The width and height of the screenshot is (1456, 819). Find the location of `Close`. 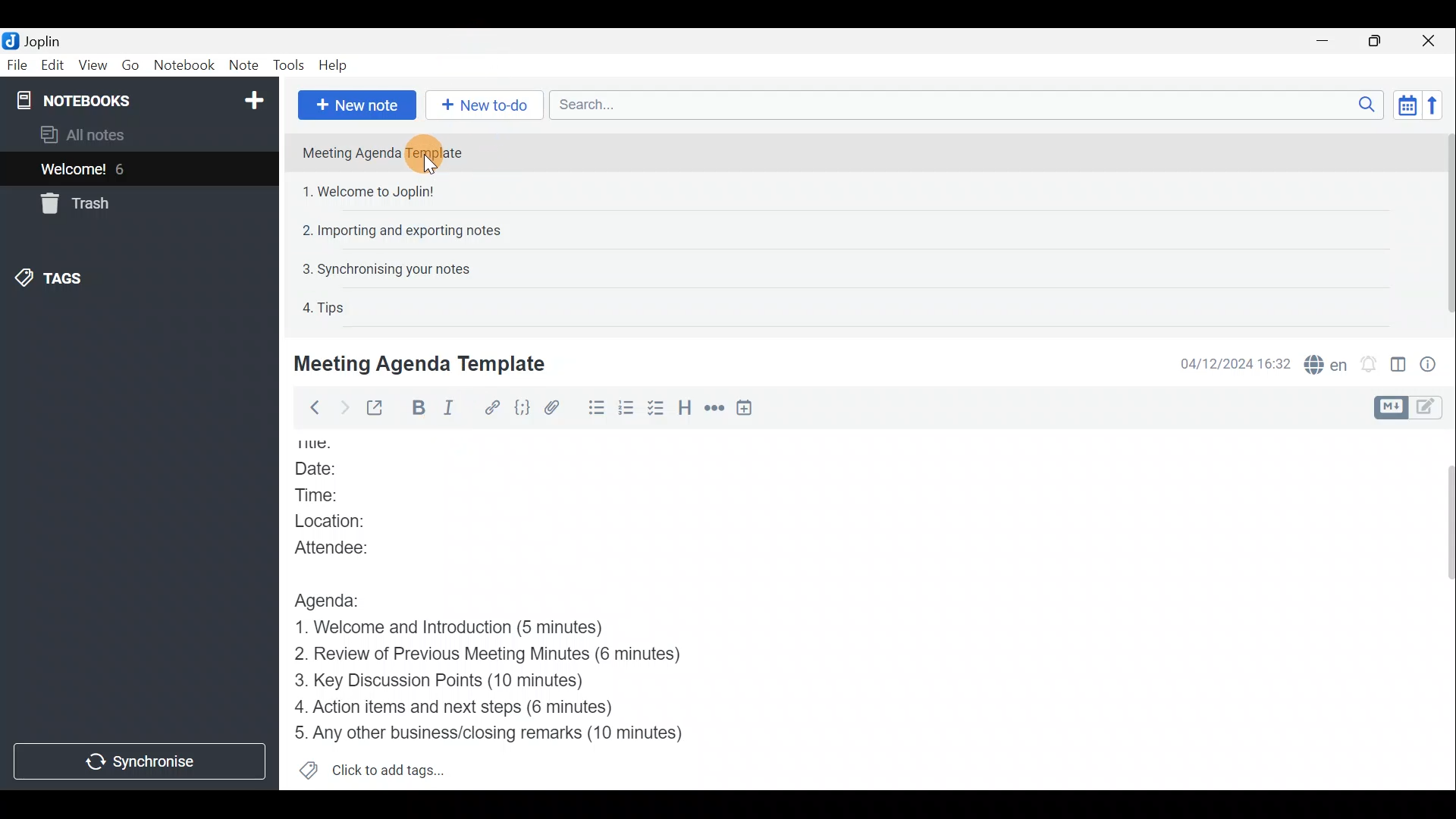

Close is located at coordinates (1429, 42).